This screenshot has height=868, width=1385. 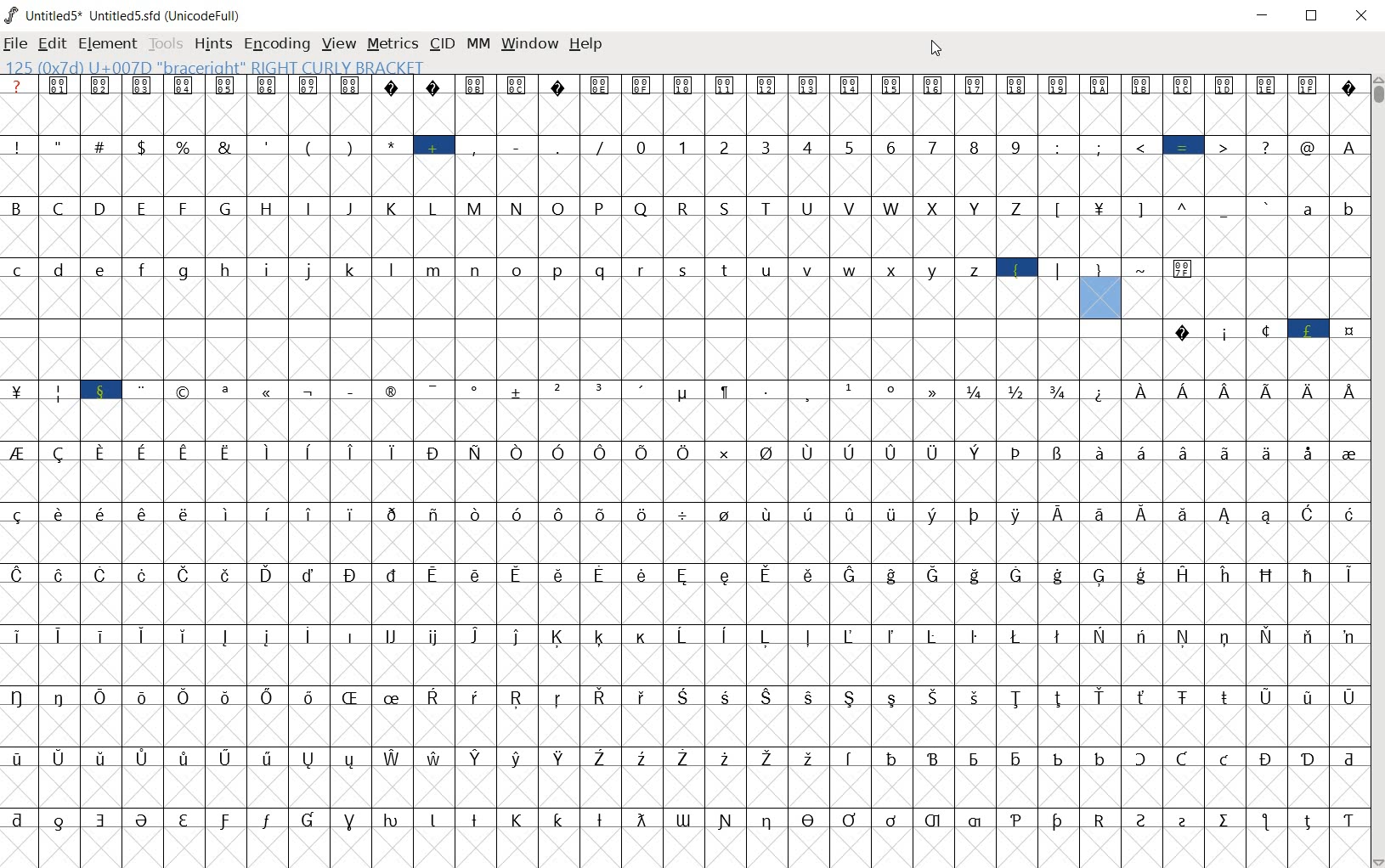 What do you see at coordinates (530, 42) in the screenshot?
I see `WINDOW` at bounding box center [530, 42].